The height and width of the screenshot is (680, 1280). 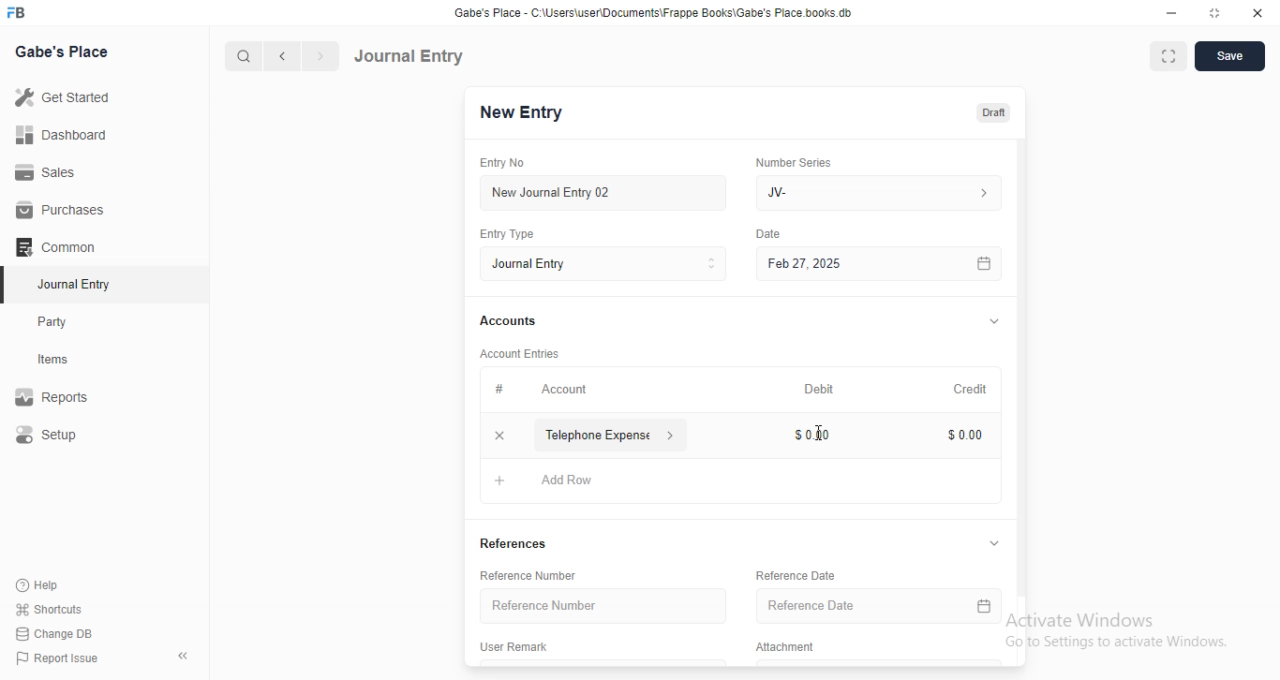 What do you see at coordinates (36, 585) in the screenshot?
I see `Help` at bounding box center [36, 585].